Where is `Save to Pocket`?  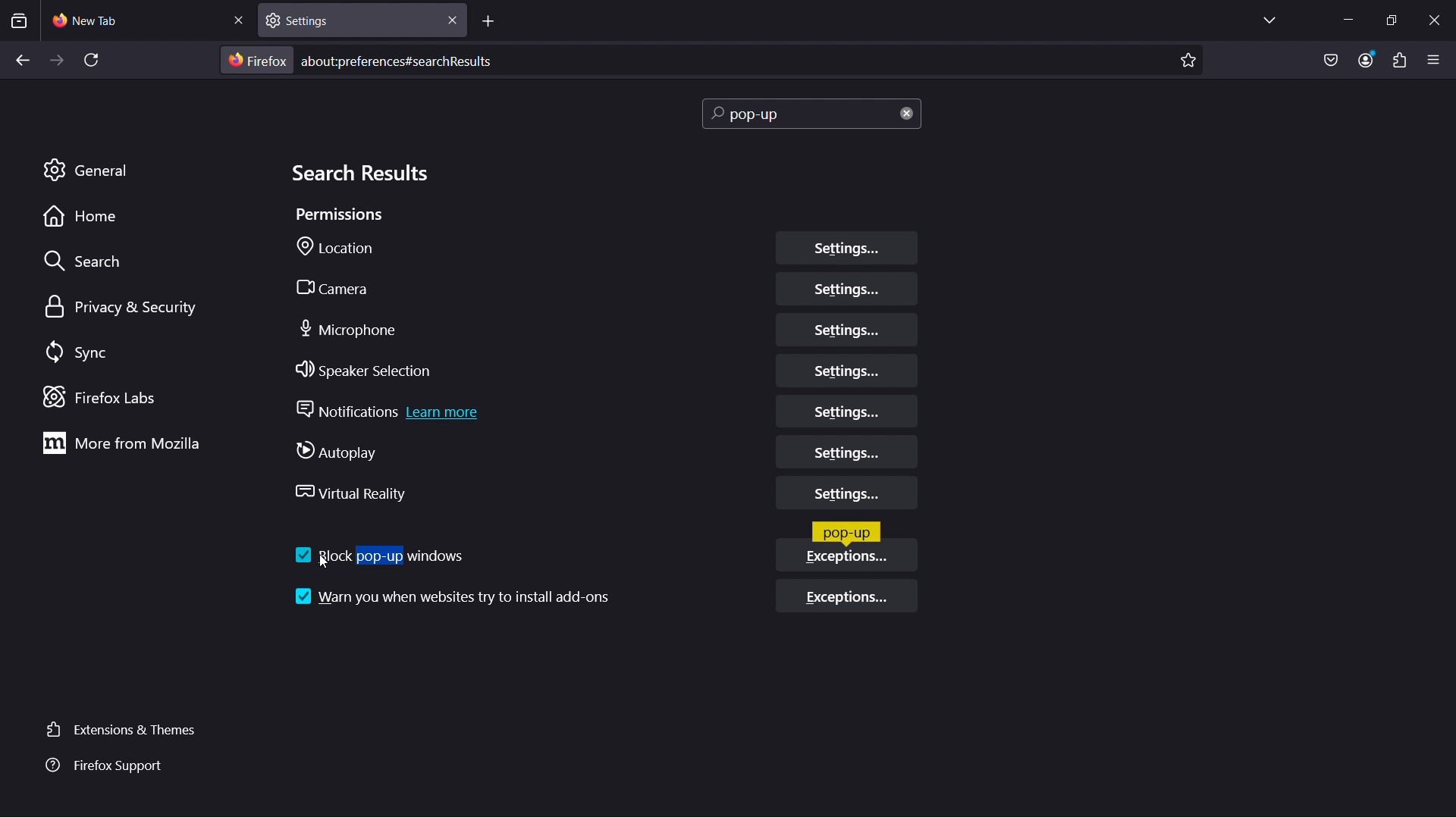
Save to Pocket is located at coordinates (1331, 57).